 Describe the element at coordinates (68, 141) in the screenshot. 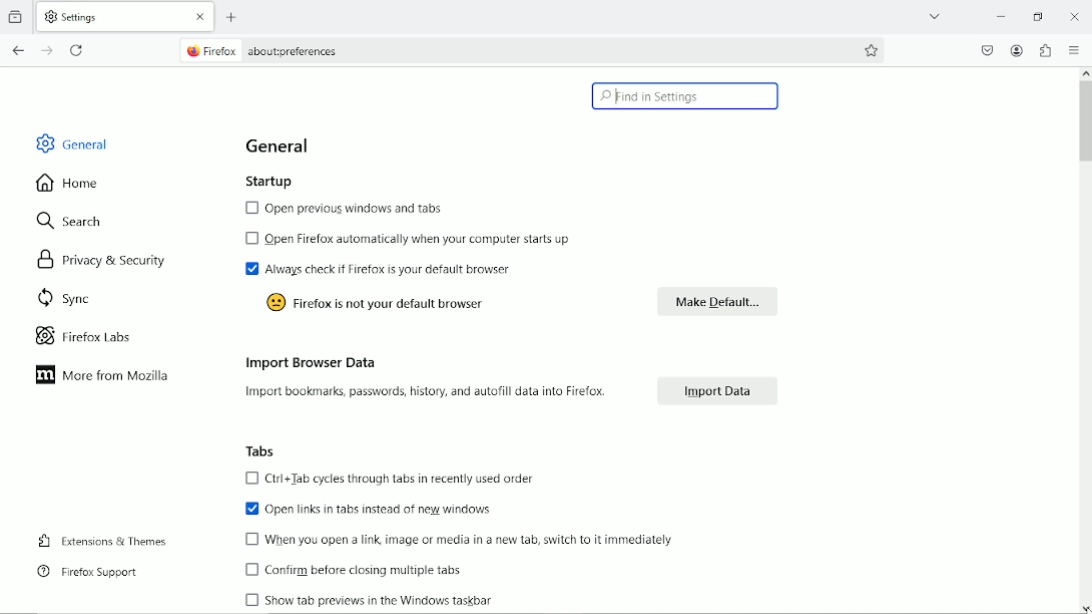

I see `General` at that location.